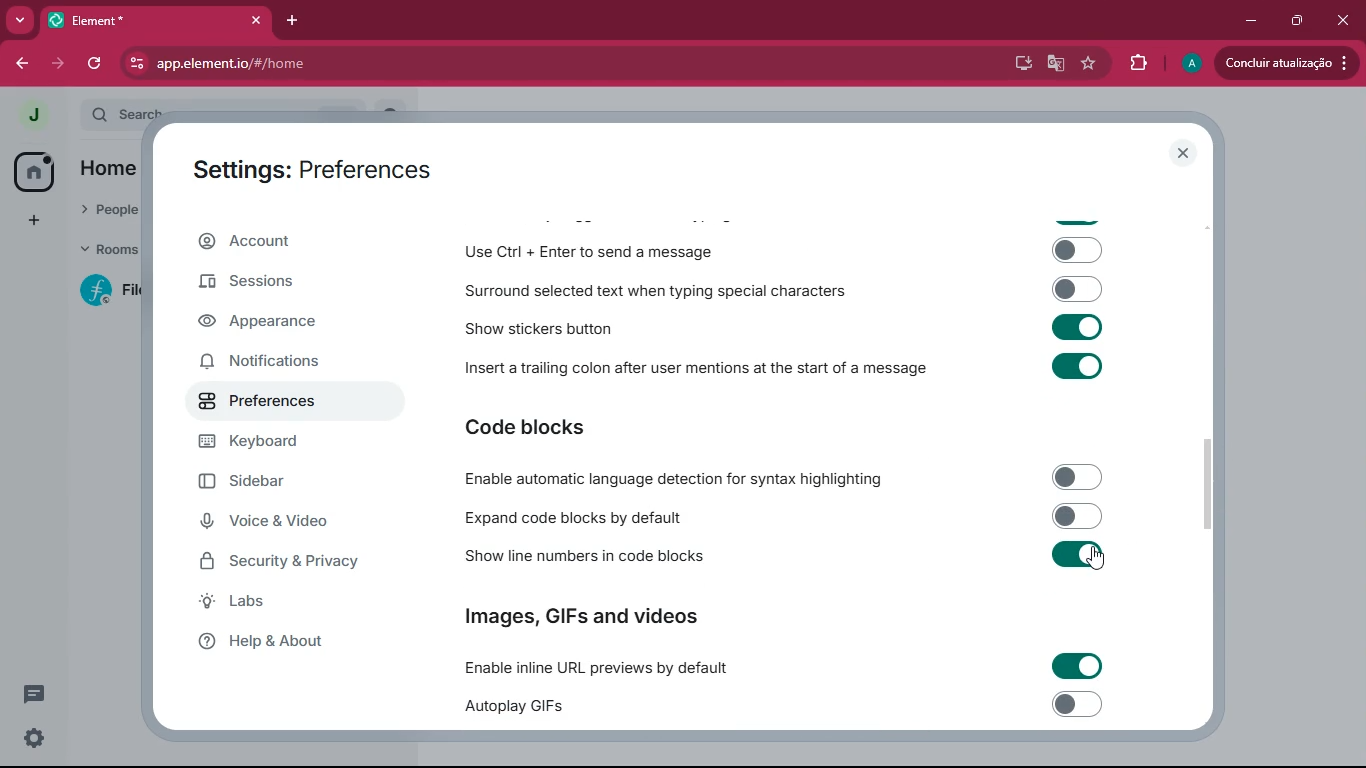 The width and height of the screenshot is (1366, 768). Describe the element at coordinates (103, 168) in the screenshot. I see `home` at that location.